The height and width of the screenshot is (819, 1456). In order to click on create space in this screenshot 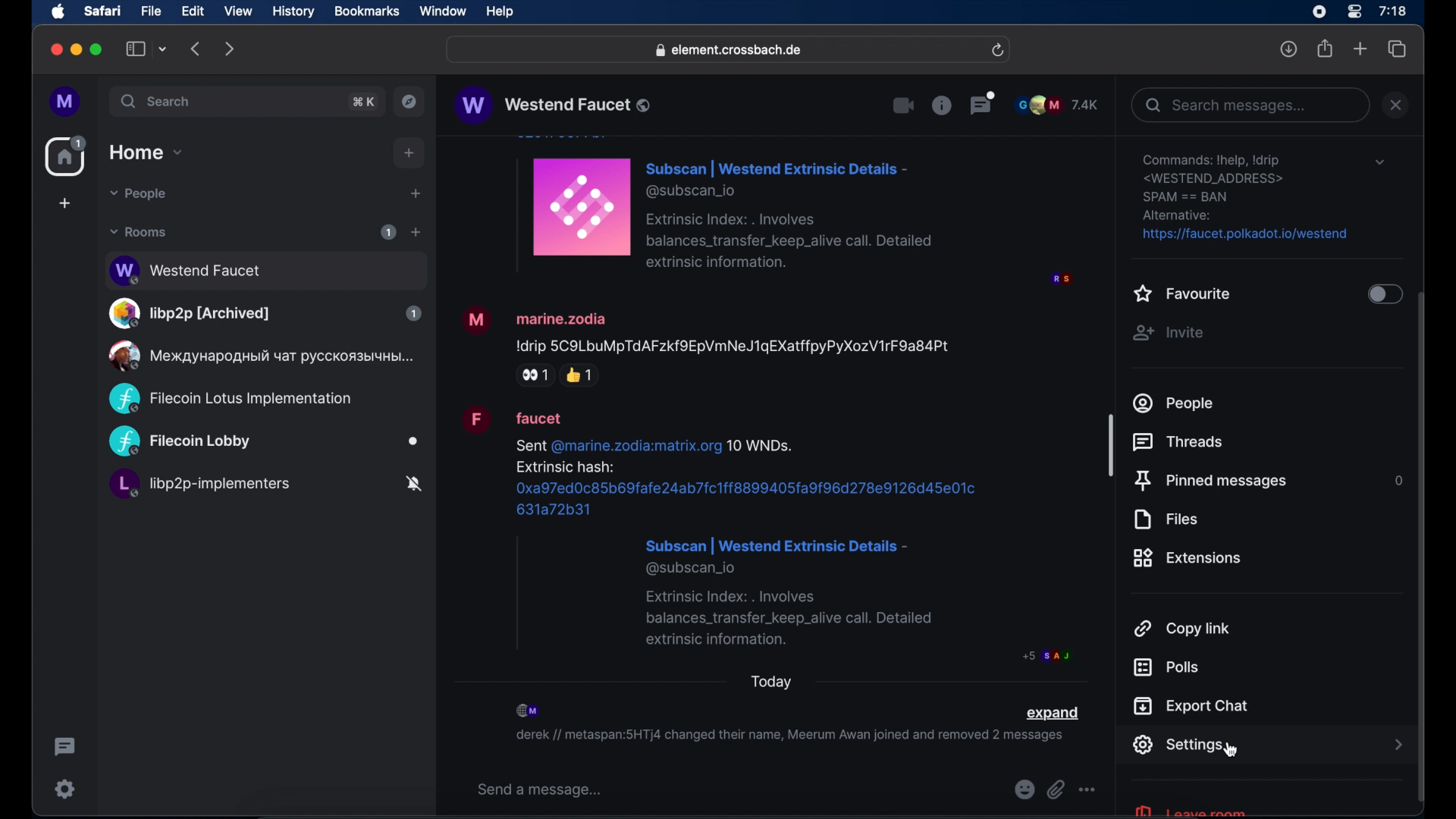, I will do `click(64, 203)`.